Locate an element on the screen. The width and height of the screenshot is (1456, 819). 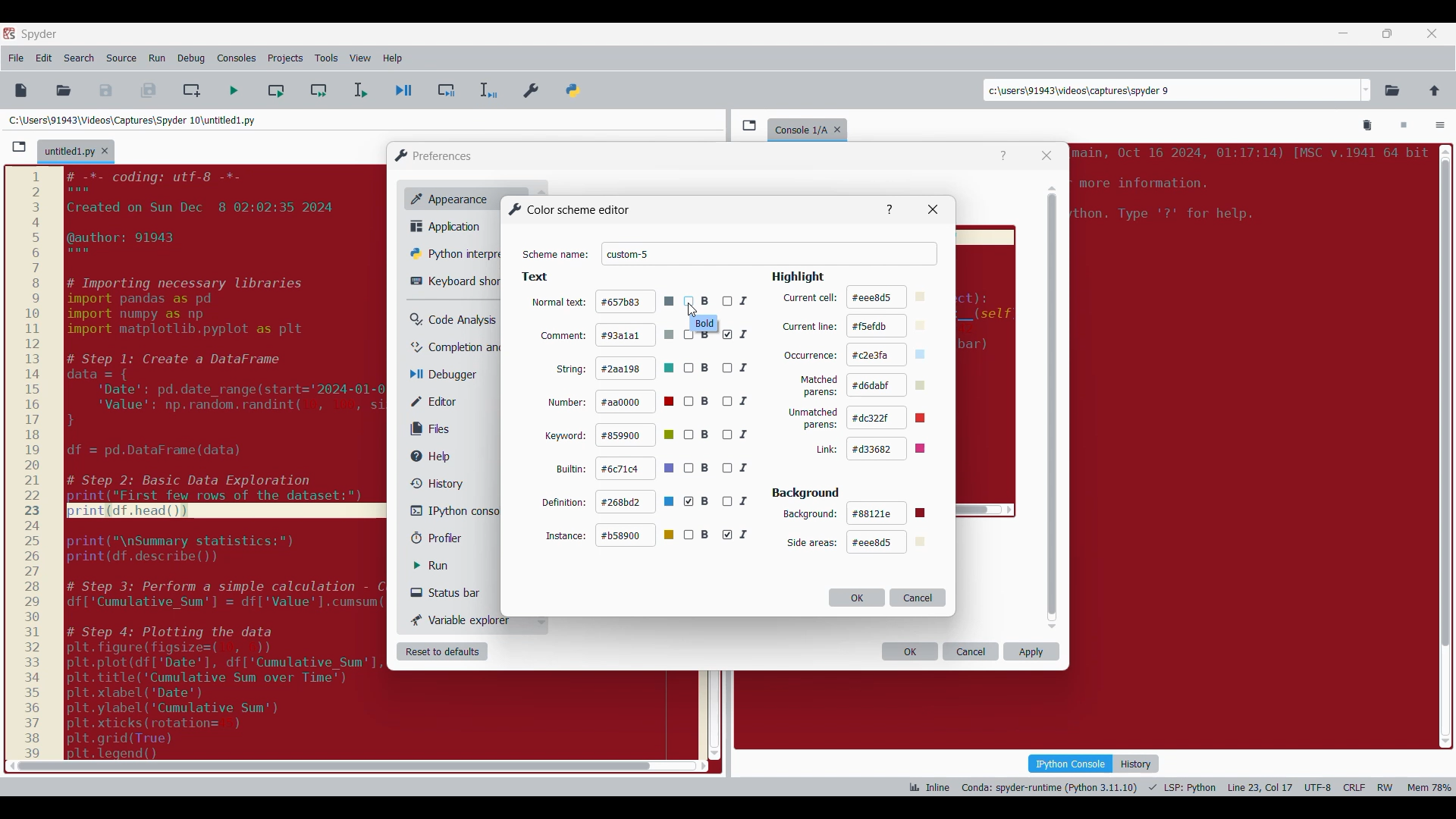
number is located at coordinates (568, 403).